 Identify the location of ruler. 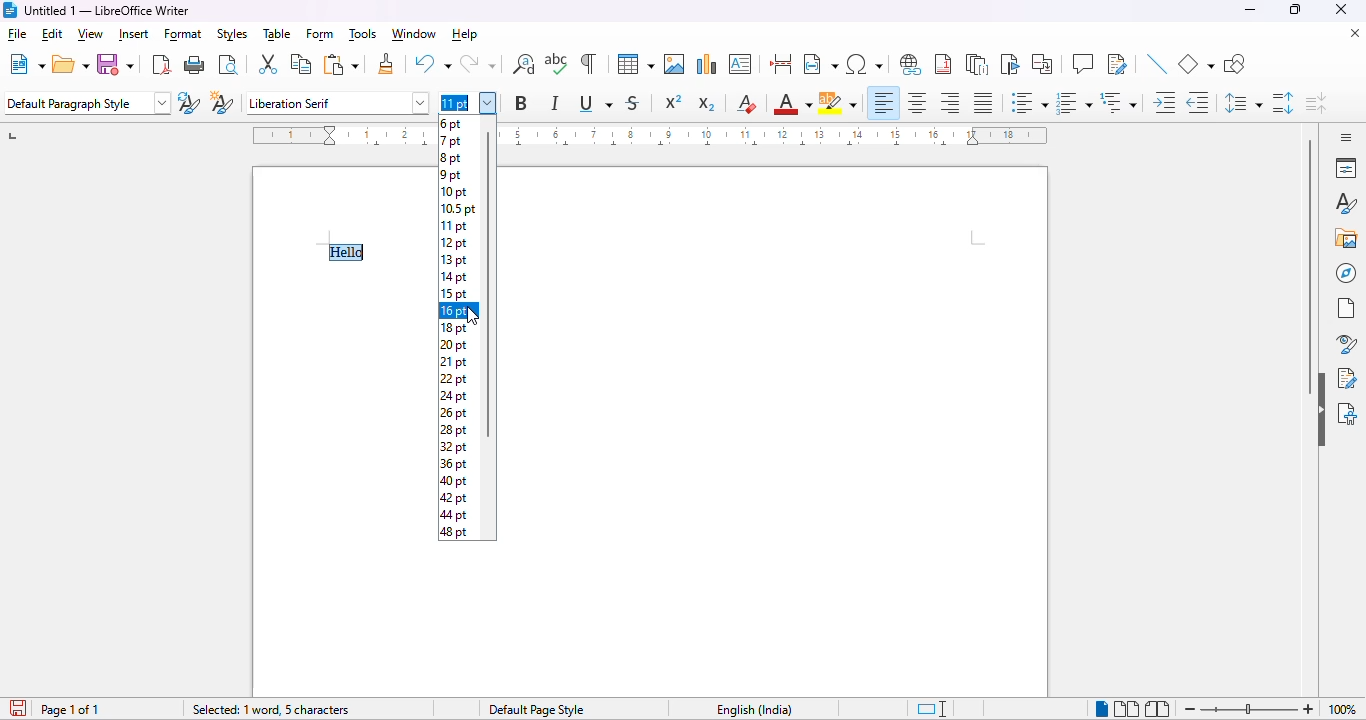
(785, 135).